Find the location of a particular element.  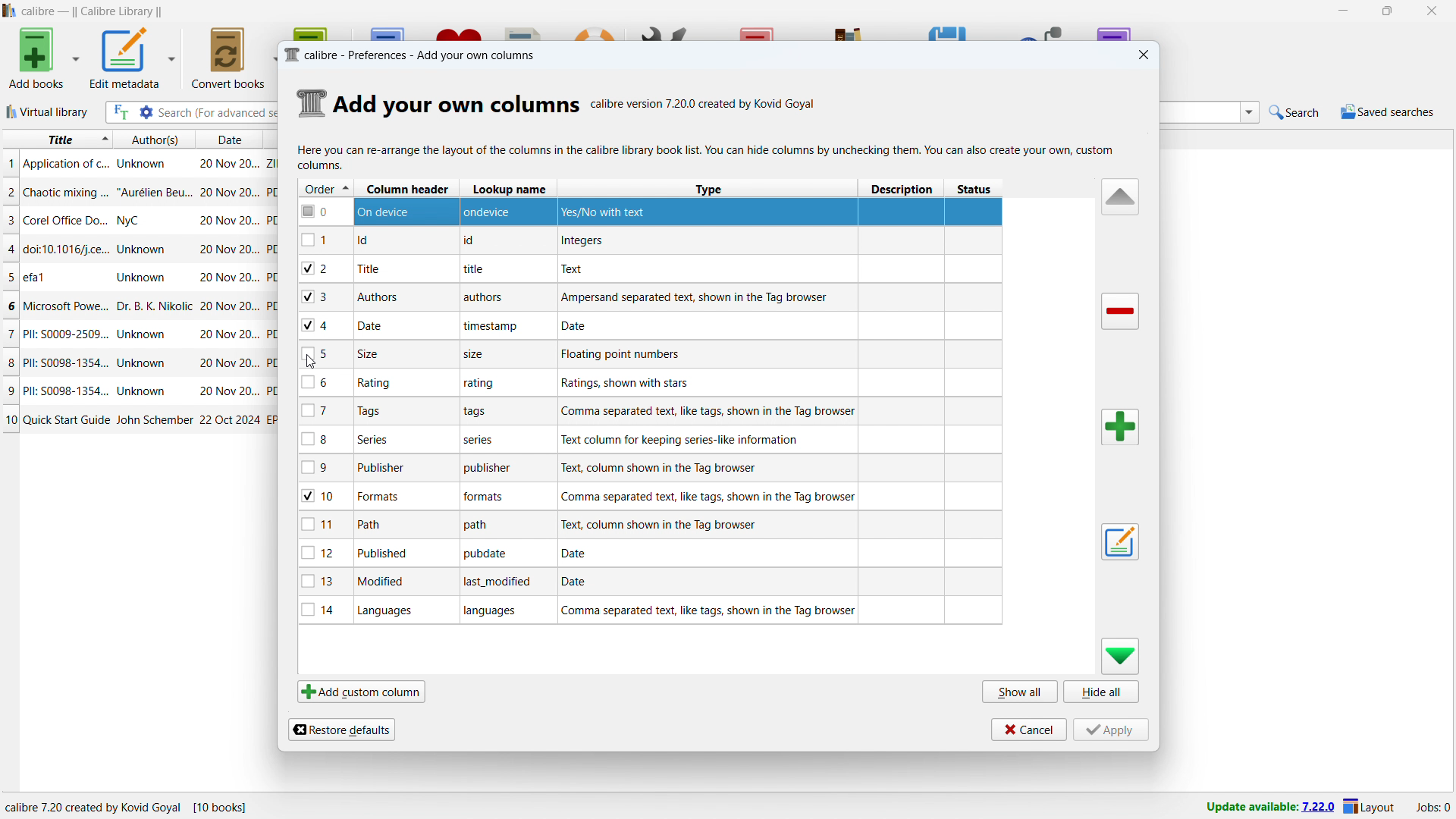

Jobs: 0 is located at coordinates (1432, 806).